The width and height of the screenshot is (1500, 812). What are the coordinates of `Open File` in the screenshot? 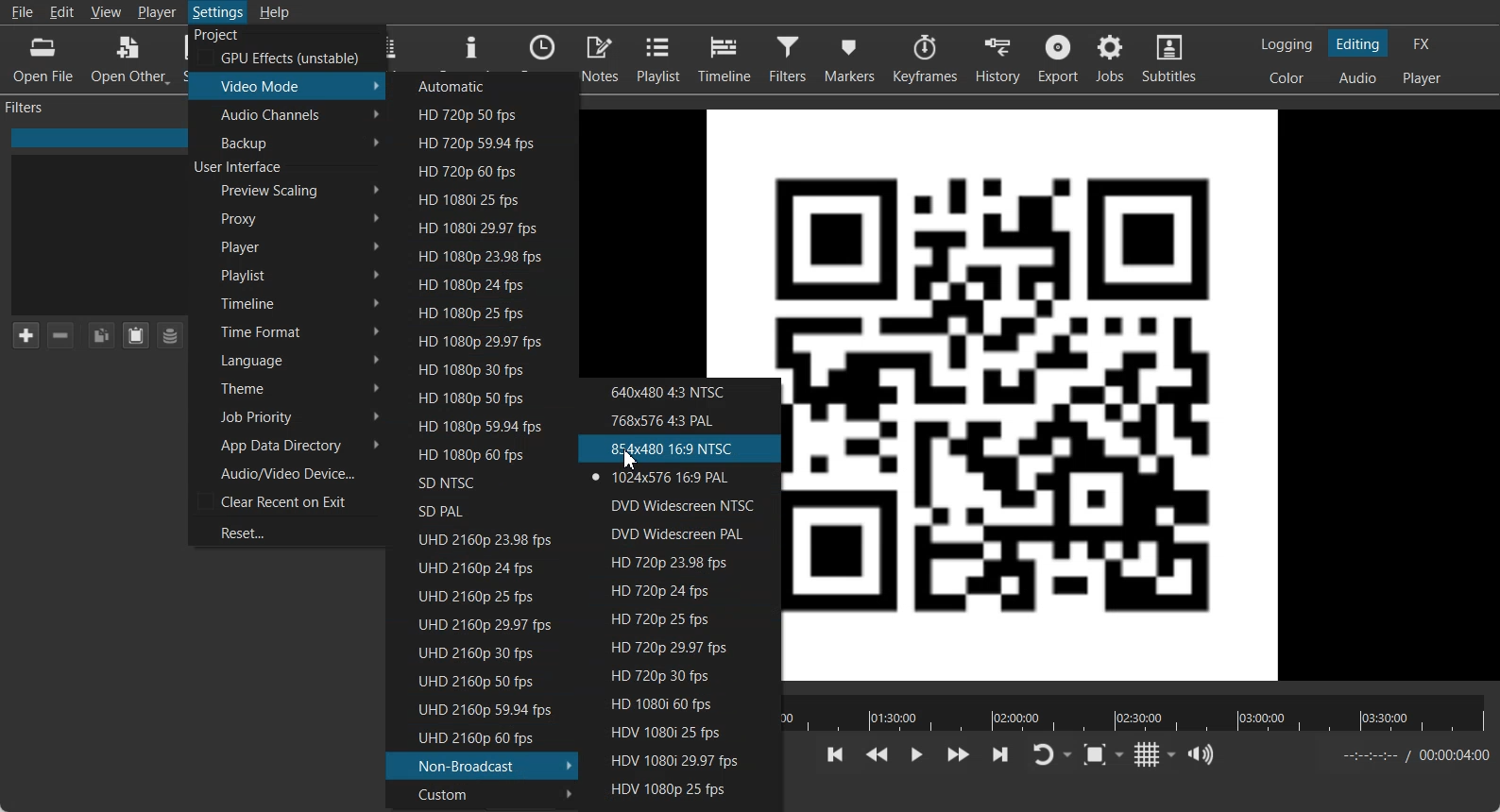 It's located at (45, 59).